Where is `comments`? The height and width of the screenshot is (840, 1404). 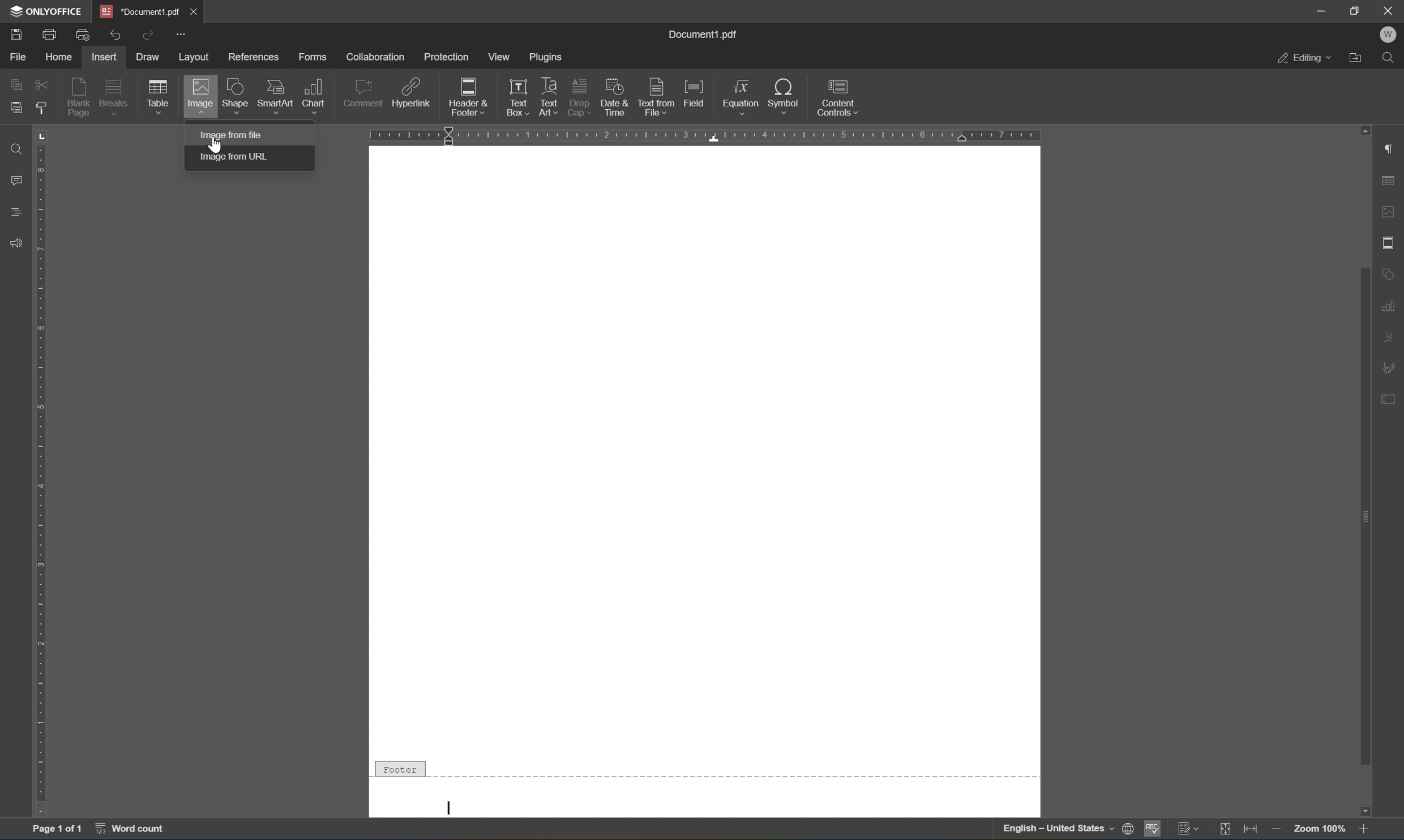
comments is located at coordinates (15, 179).